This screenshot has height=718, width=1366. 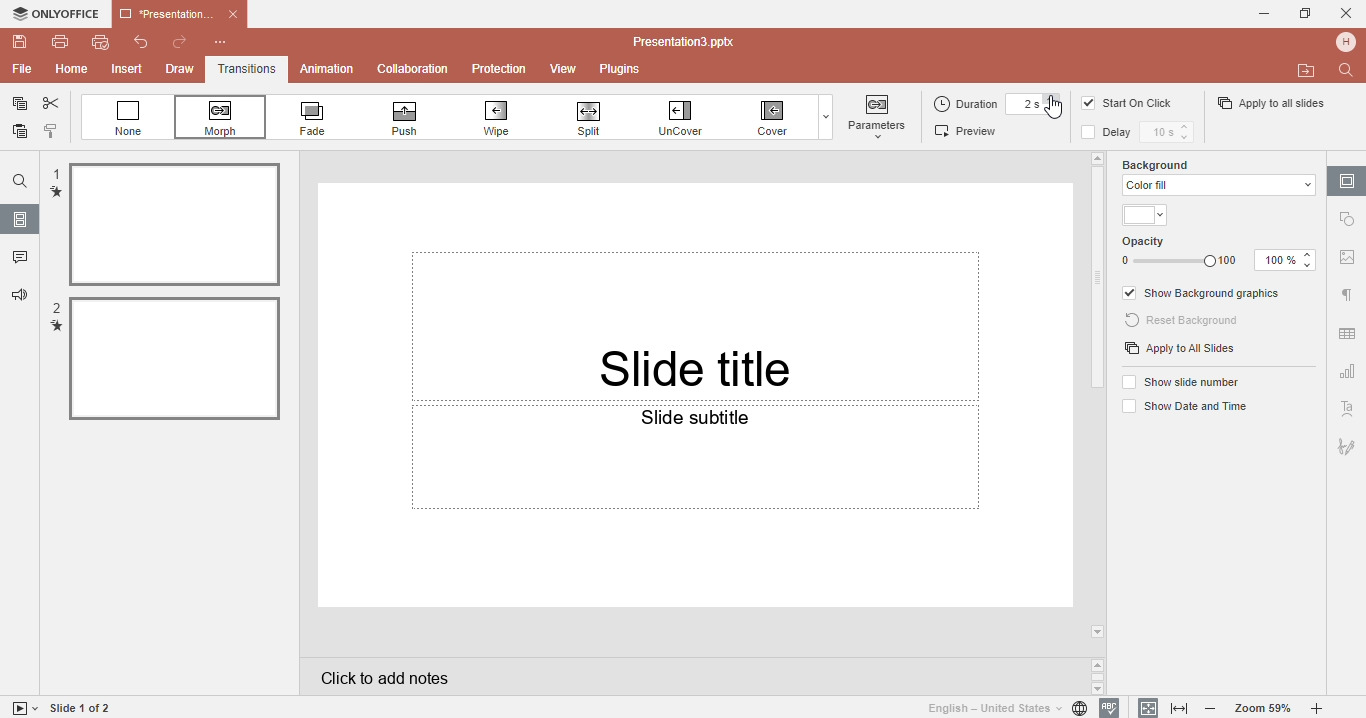 I want to click on Print file, so click(x=60, y=41).